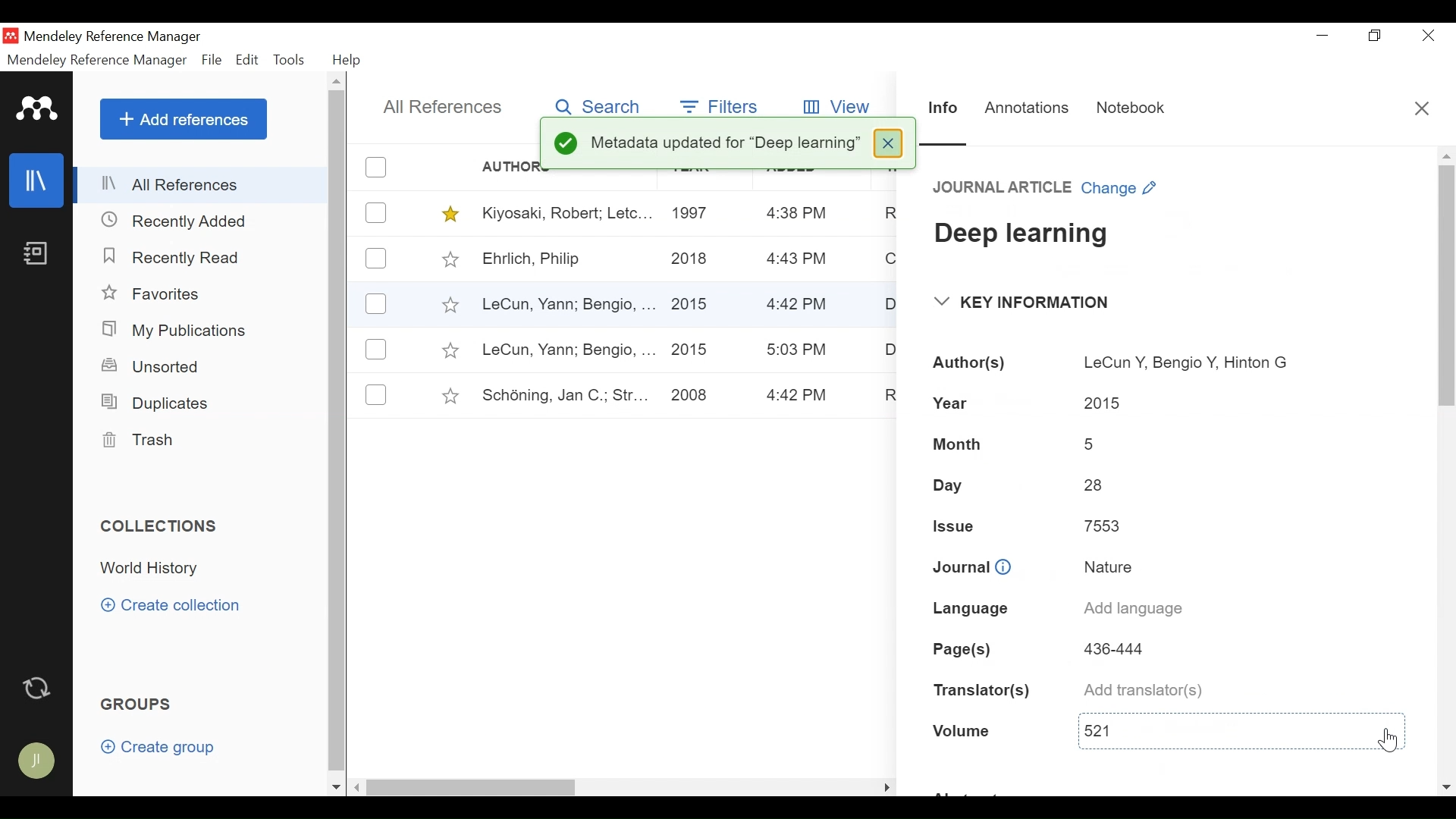 The width and height of the screenshot is (1456, 819). Describe the element at coordinates (154, 569) in the screenshot. I see `Collection` at that location.